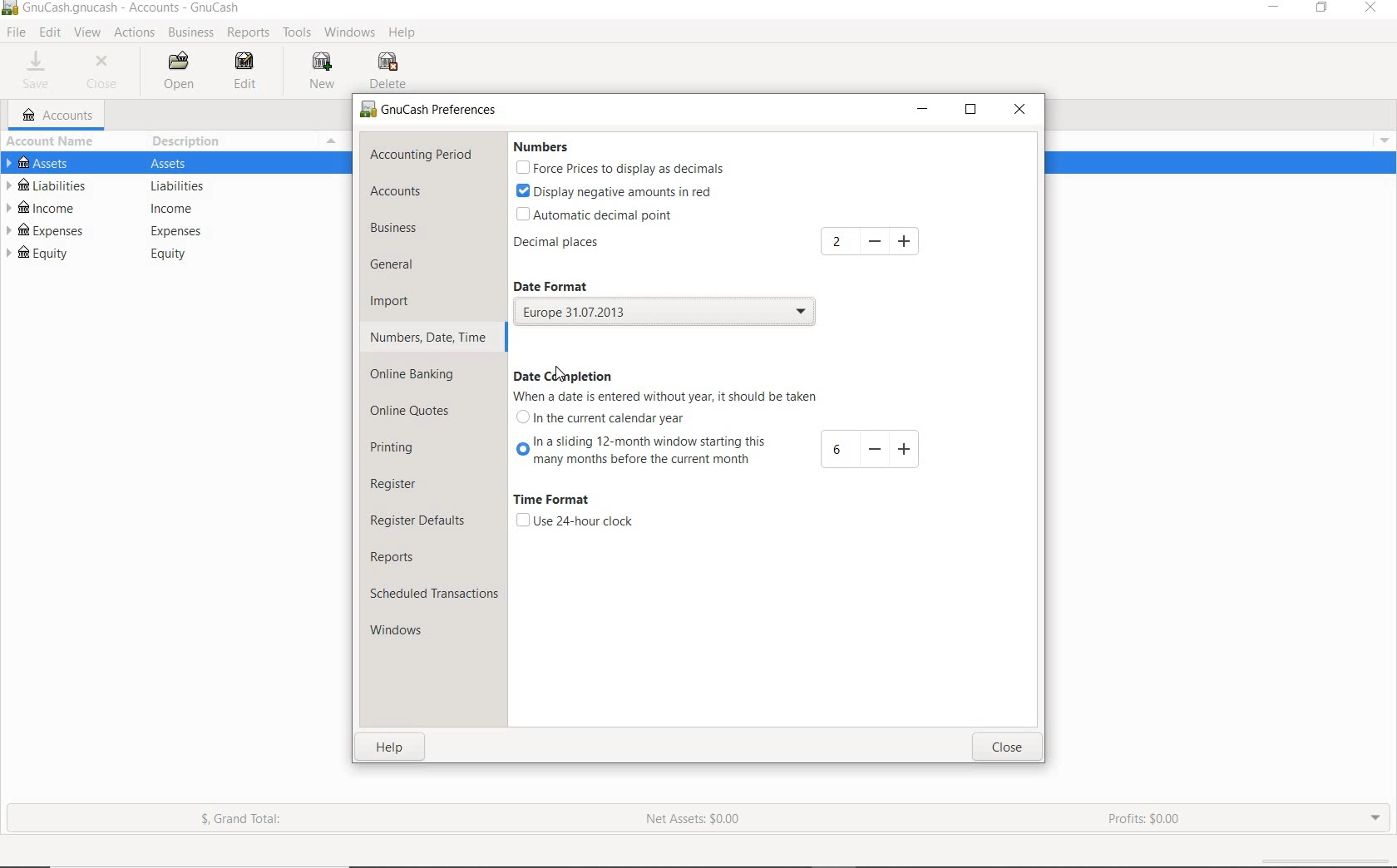 The image size is (1397, 868). What do you see at coordinates (539, 147) in the screenshot?
I see `numbers` at bounding box center [539, 147].